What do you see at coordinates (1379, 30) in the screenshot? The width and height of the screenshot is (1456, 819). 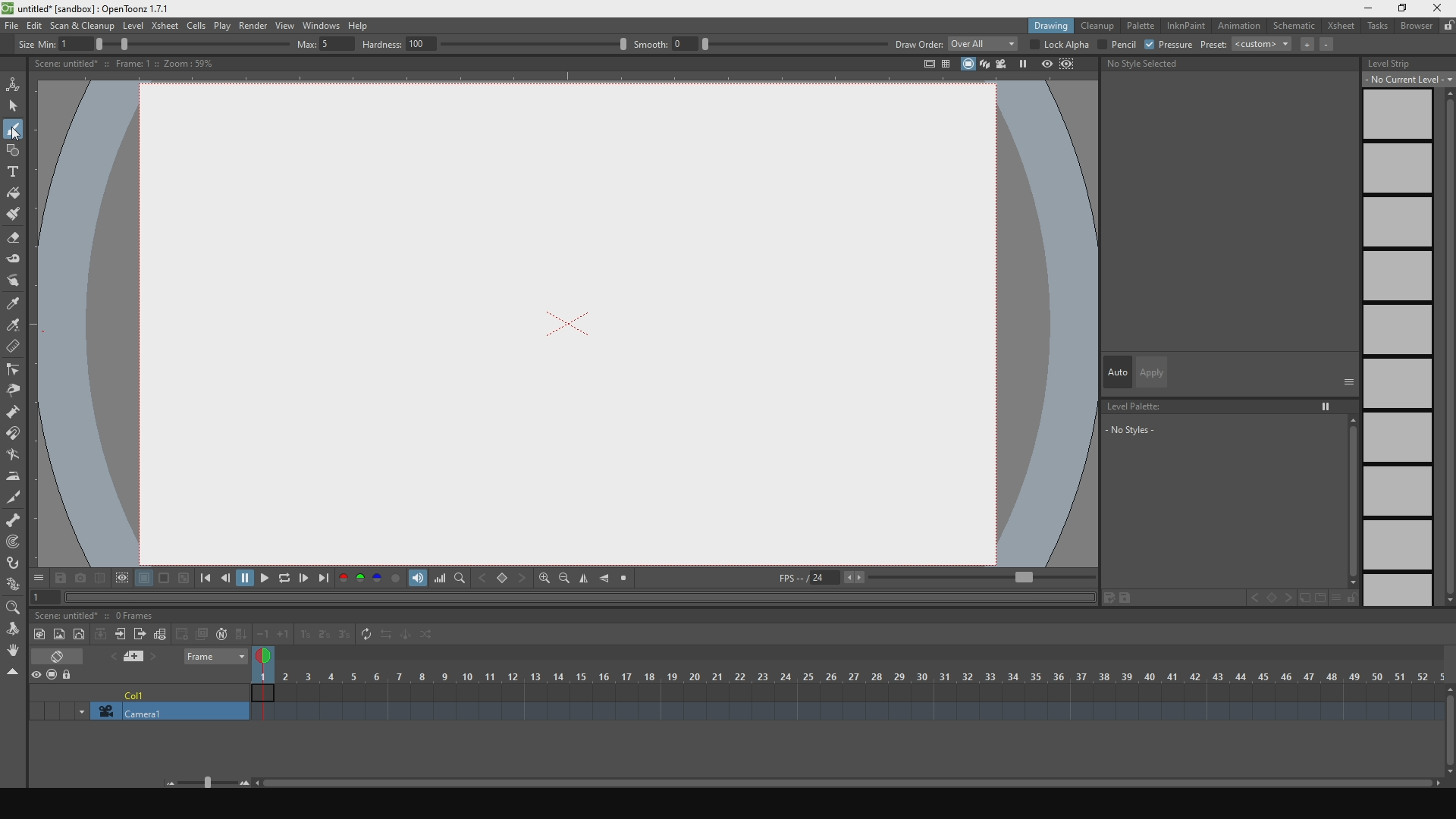 I see `tasks` at bounding box center [1379, 30].